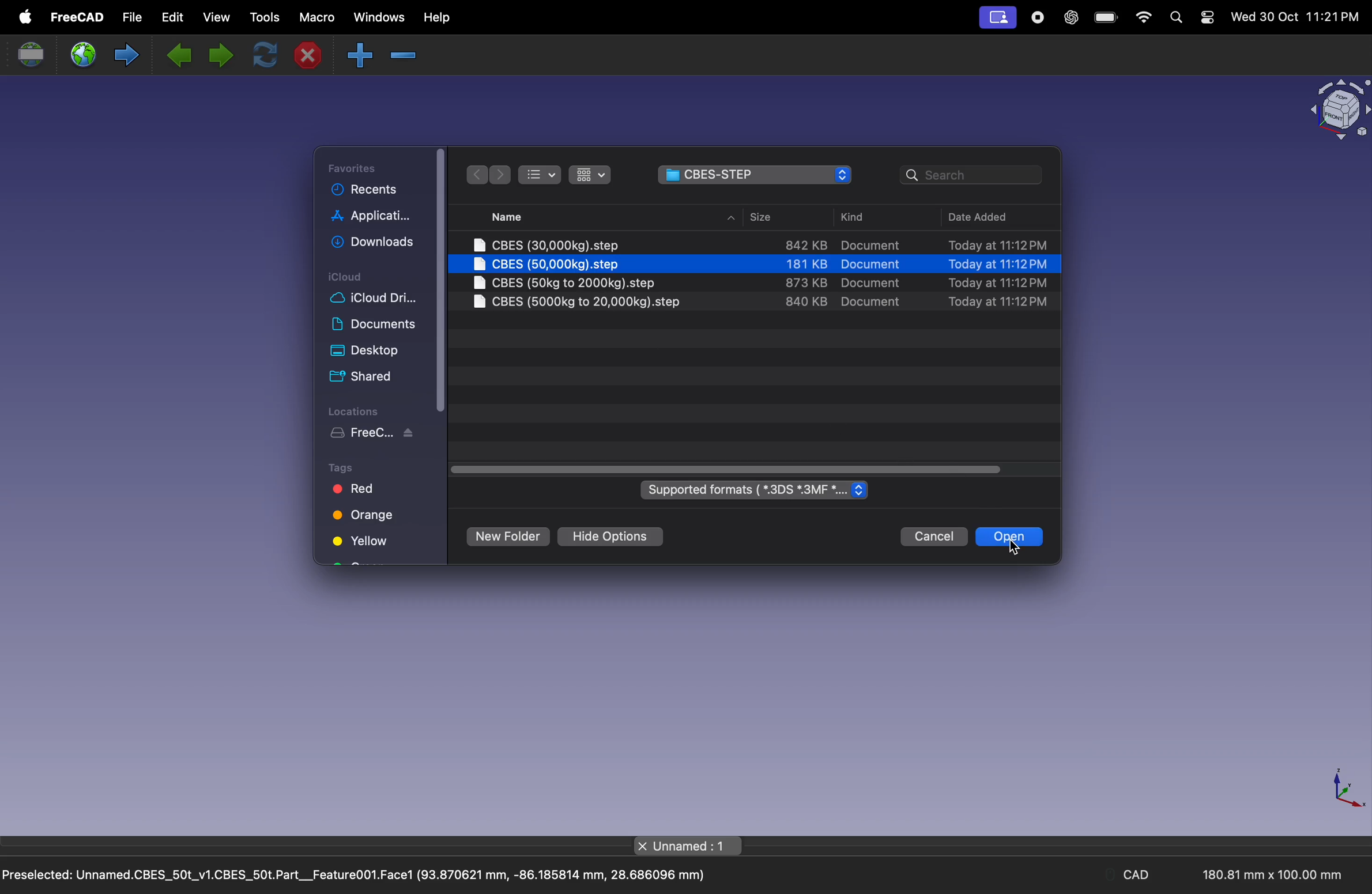 This screenshot has width=1372, height=894. Describe the element at coordinates (501, 175) in the screenshot. I see `forward` at that location.